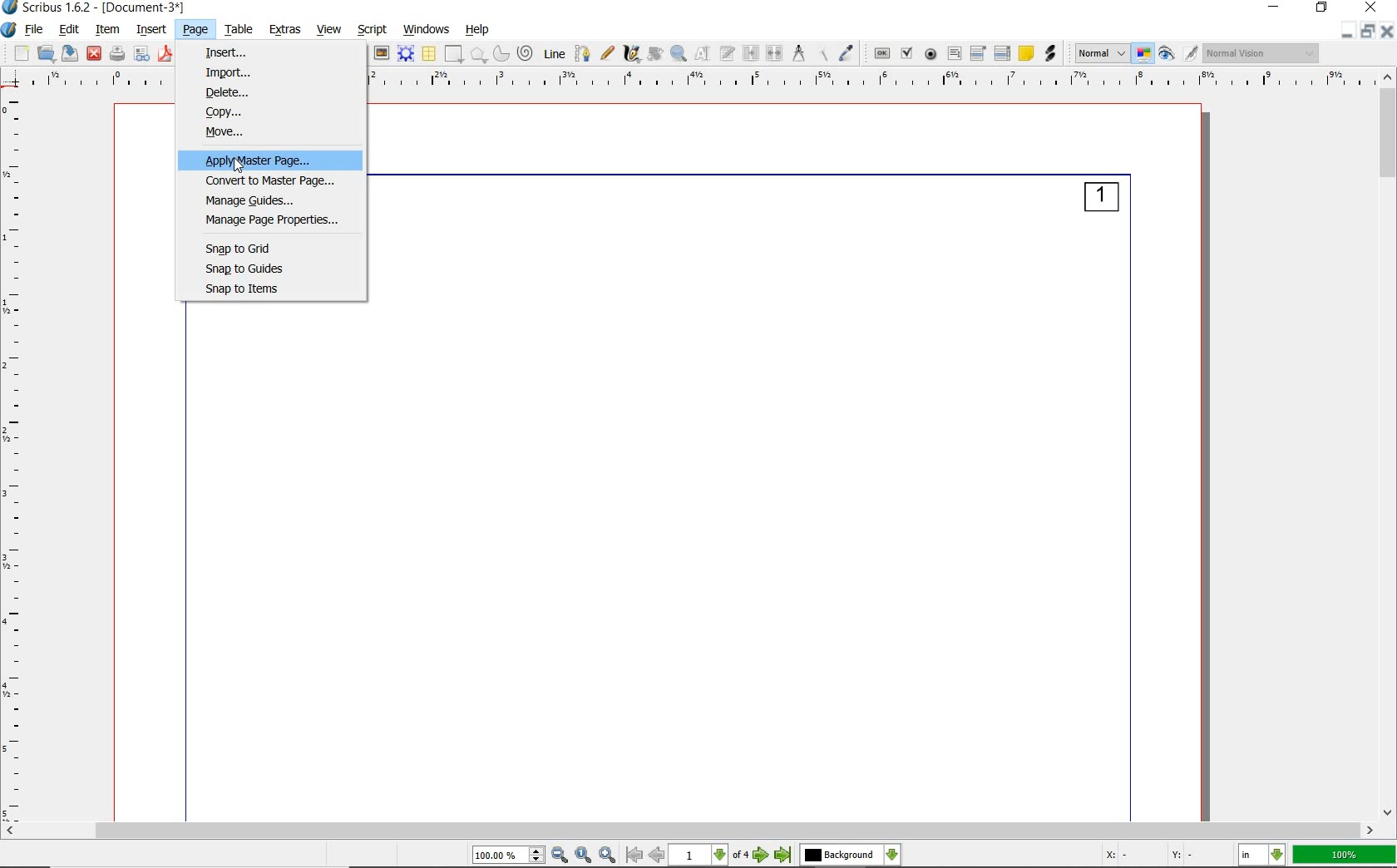  What do you see at coordinates (1262, 854) in the screenshot?
I see `select the current unit` at bounding box center [1262, 854].